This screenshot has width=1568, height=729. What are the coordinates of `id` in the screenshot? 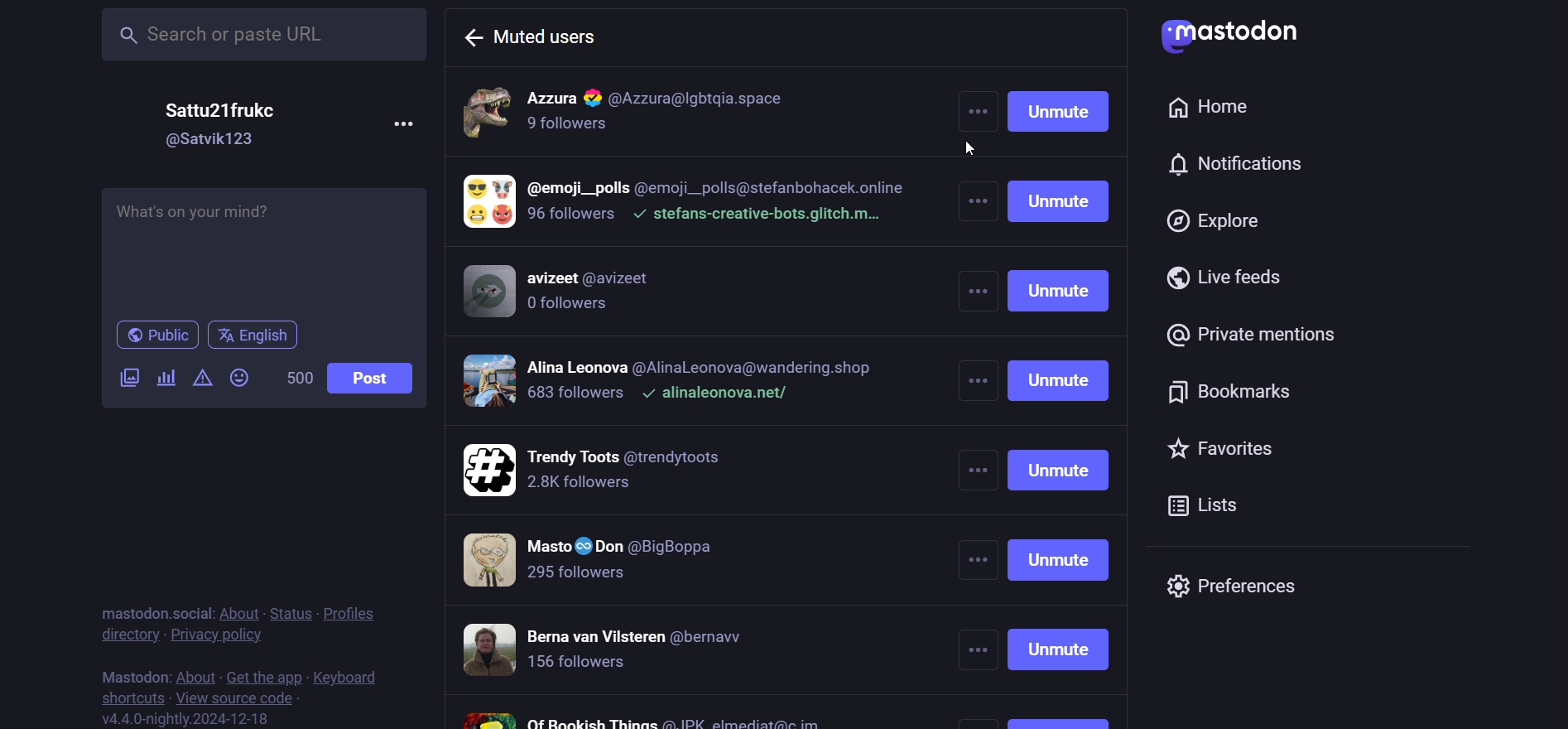 It's located at (212, 140).